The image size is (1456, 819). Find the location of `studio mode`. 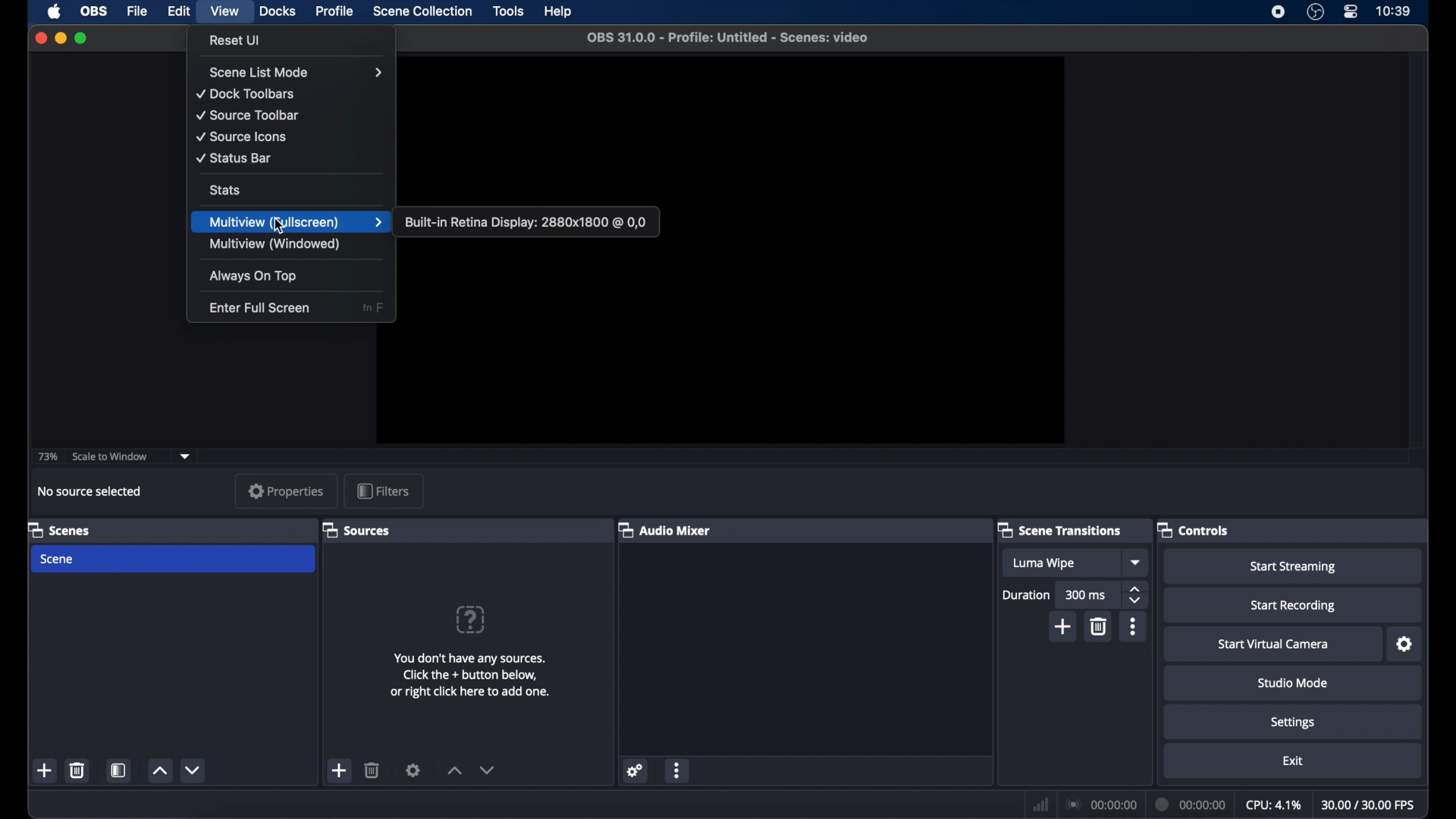

studio mode is located at coordinates (1295, 682).